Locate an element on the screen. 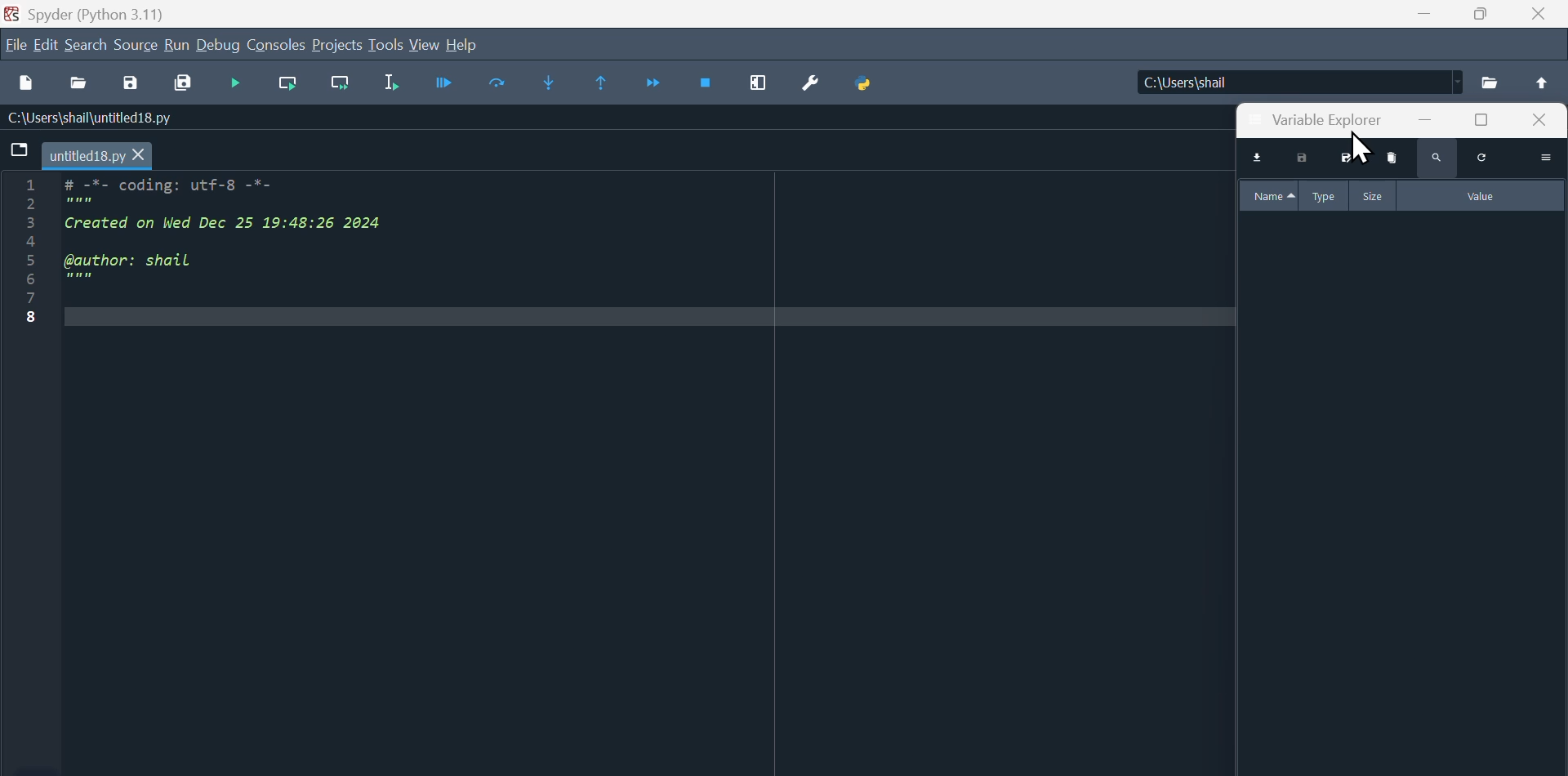  Debugging is located at coordinates (238, 83).